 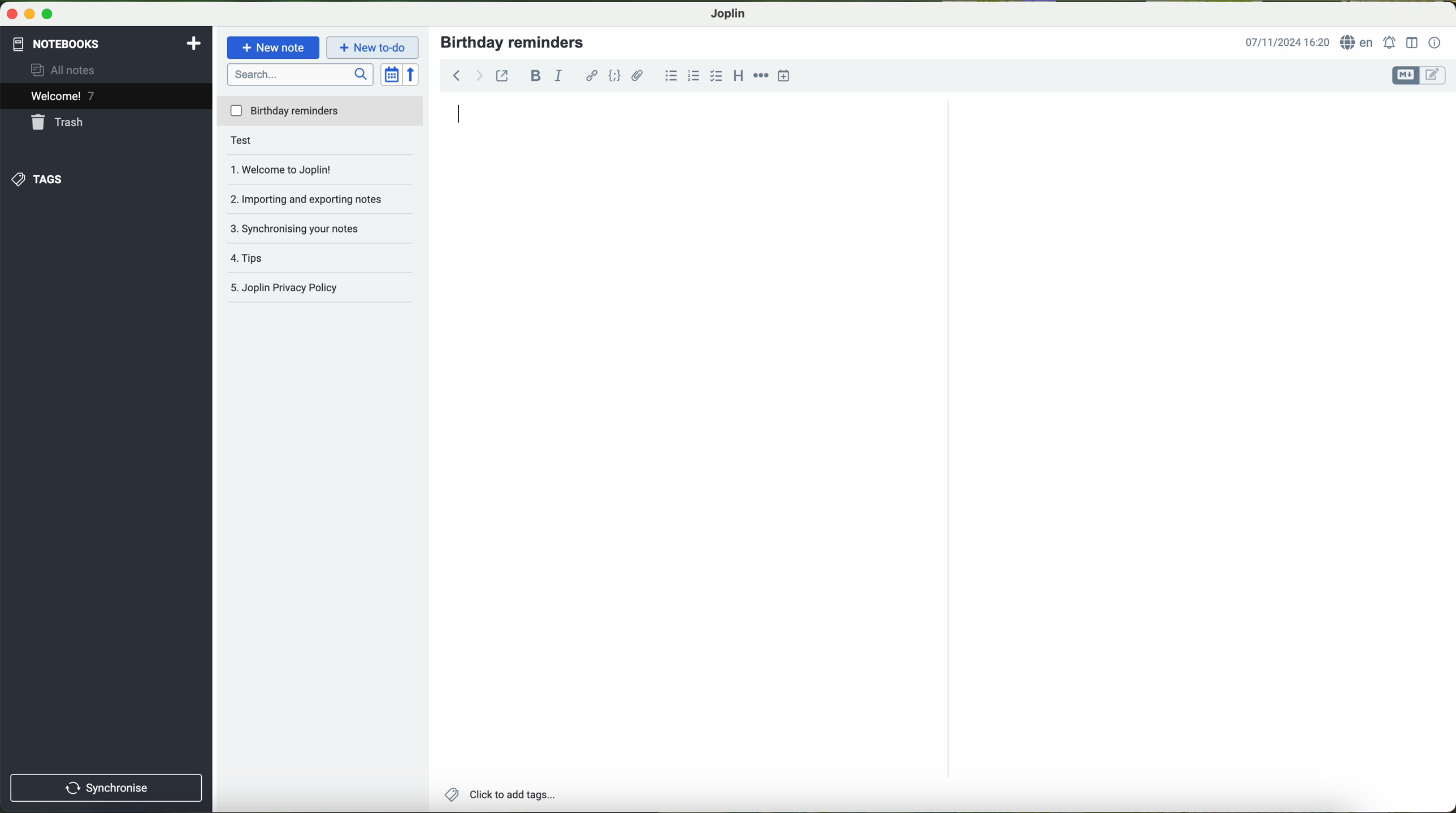 What do you see at coordinates (285, 285) in the screenshot?
I see `Joplin privacy policy` at bounding box center [285, 285].